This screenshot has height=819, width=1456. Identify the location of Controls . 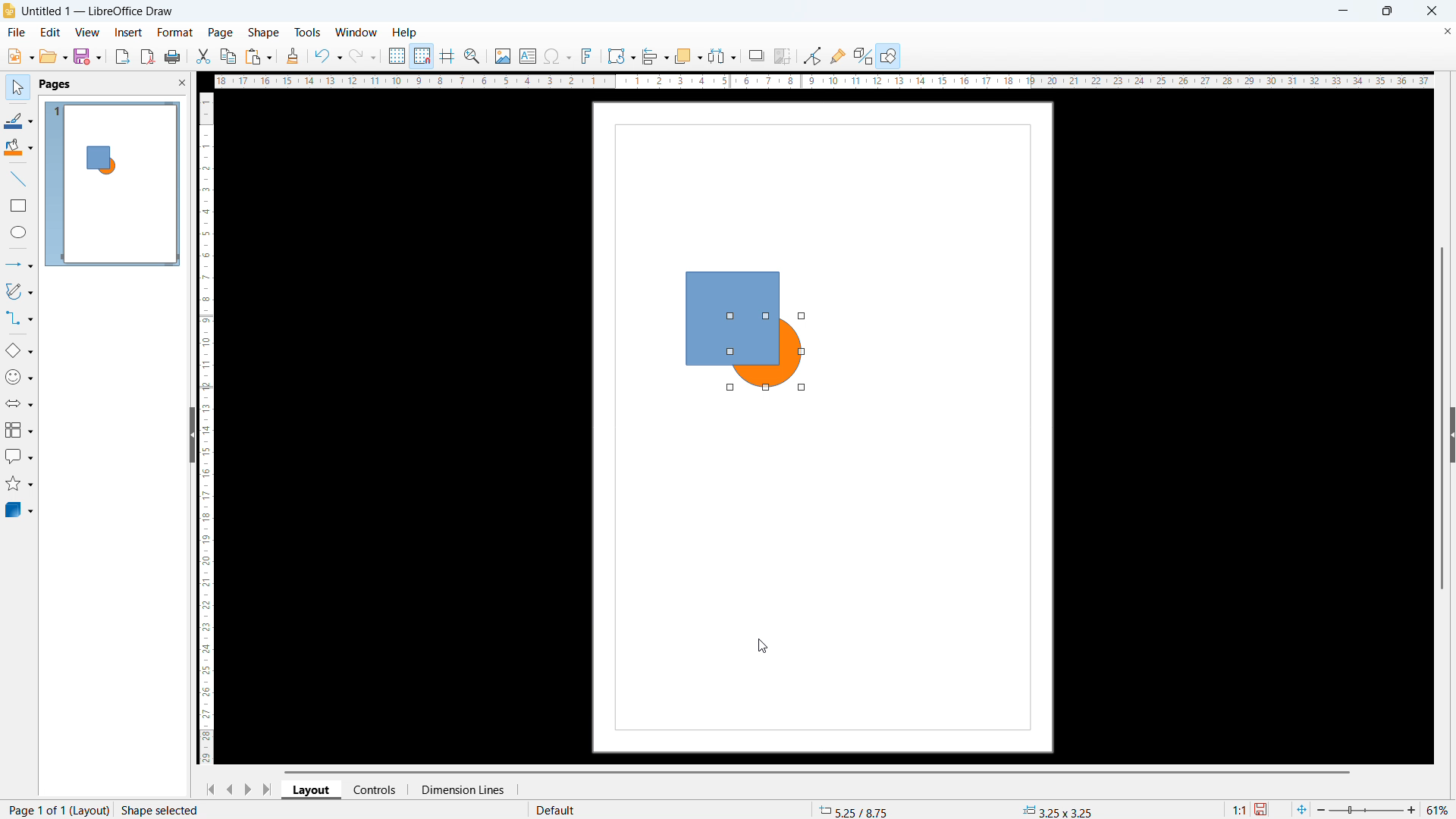
(376, 790).